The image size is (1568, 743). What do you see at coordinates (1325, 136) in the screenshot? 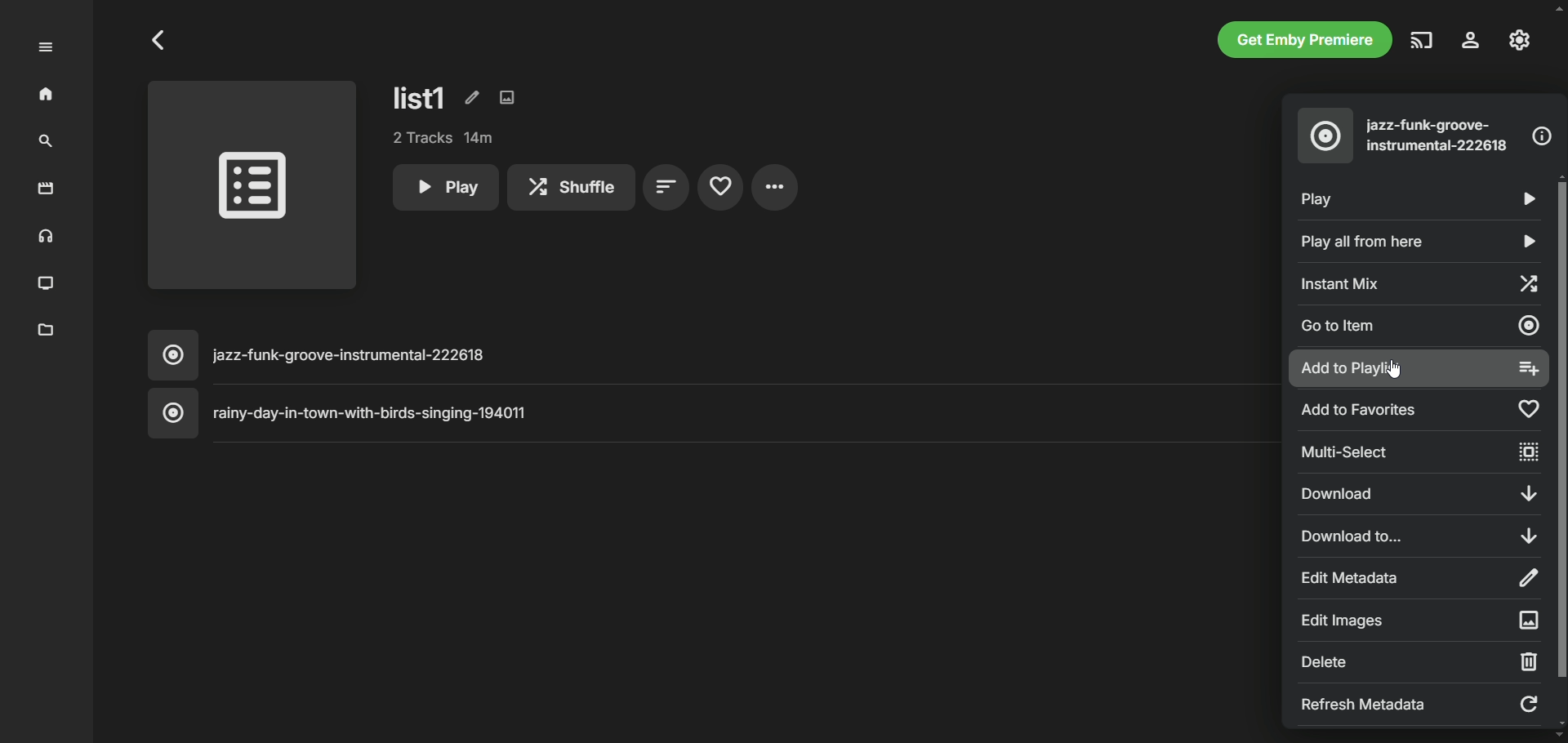
I see `music album` at bounding box center [1325, 136].